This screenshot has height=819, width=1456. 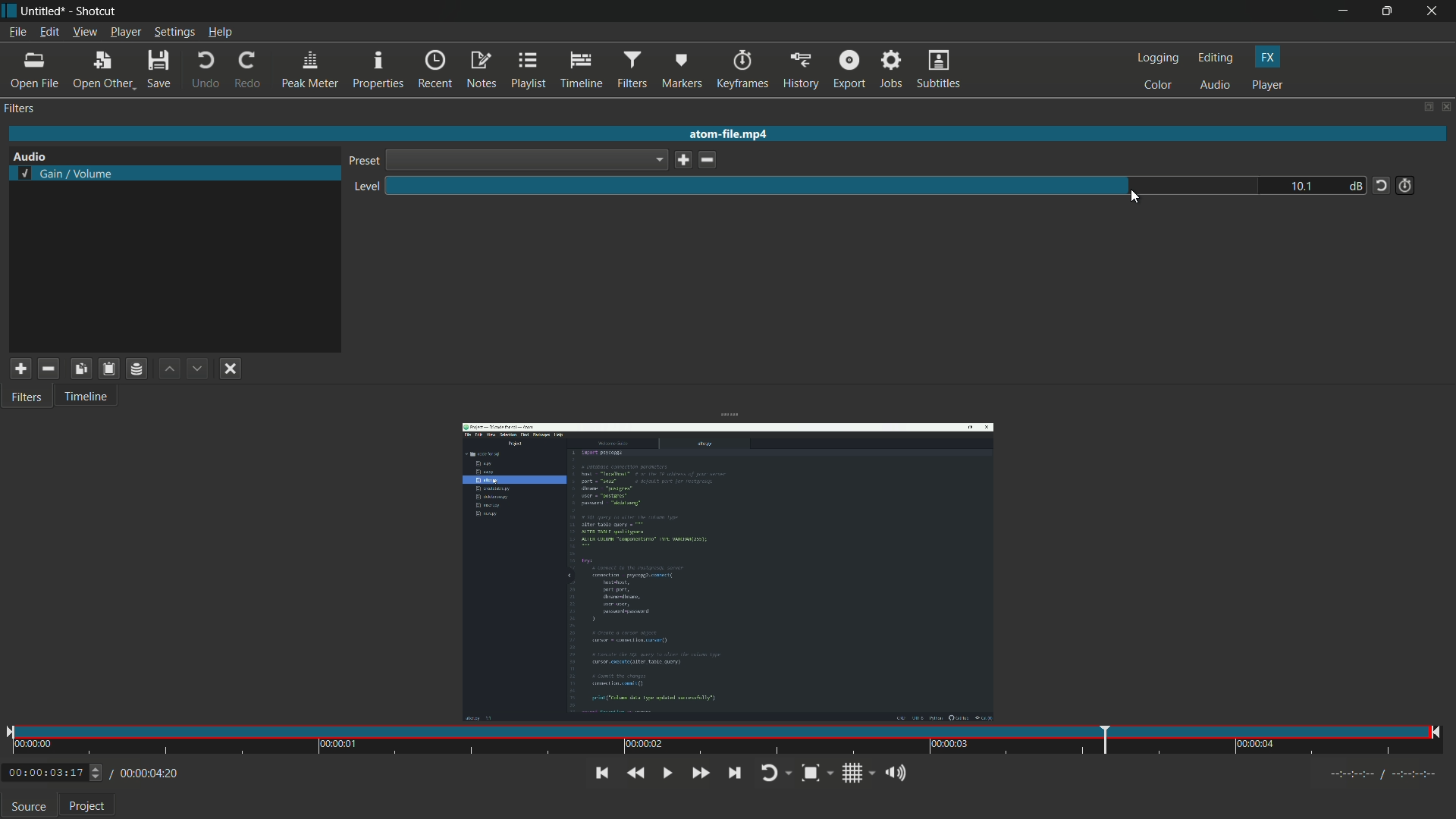 What do you see at coordinates (17, 32) in the screenshot?
I see `file menu` at bounding box center [17, 32].